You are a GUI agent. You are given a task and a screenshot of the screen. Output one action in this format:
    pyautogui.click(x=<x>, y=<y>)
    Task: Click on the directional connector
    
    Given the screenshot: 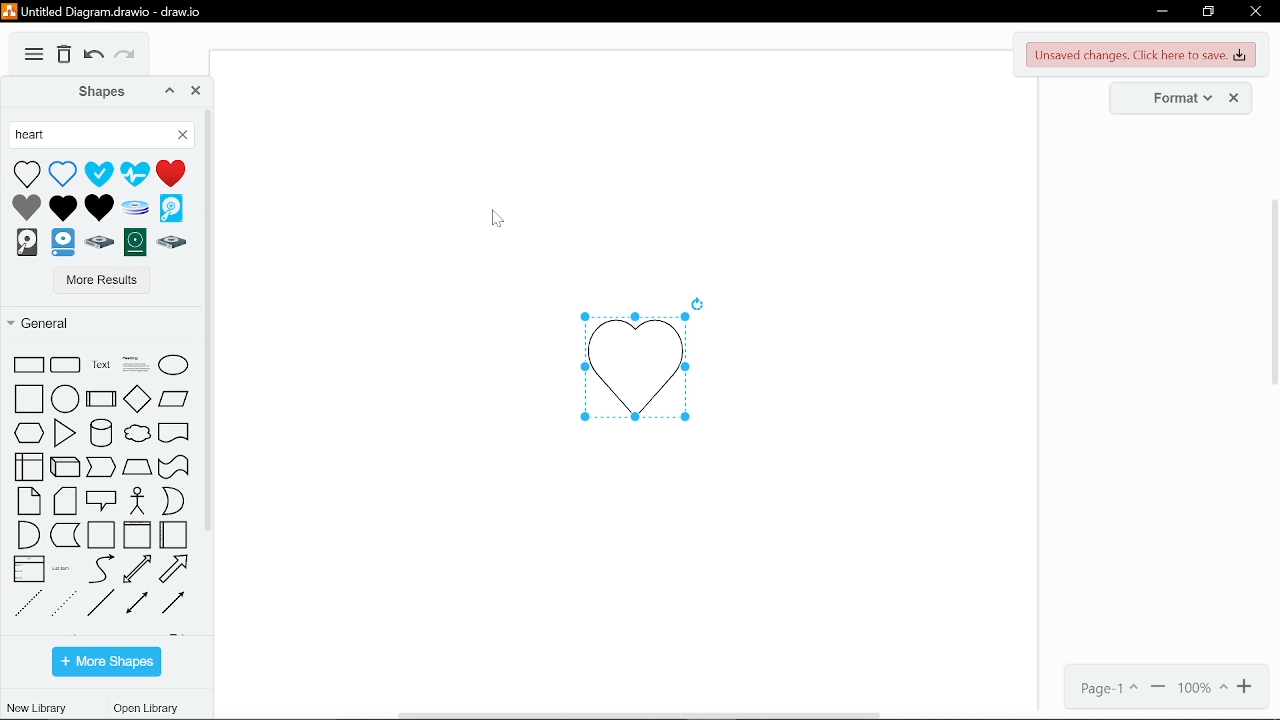 What is the action you would take?
    pyautogui.click(x=175, y=604)
    